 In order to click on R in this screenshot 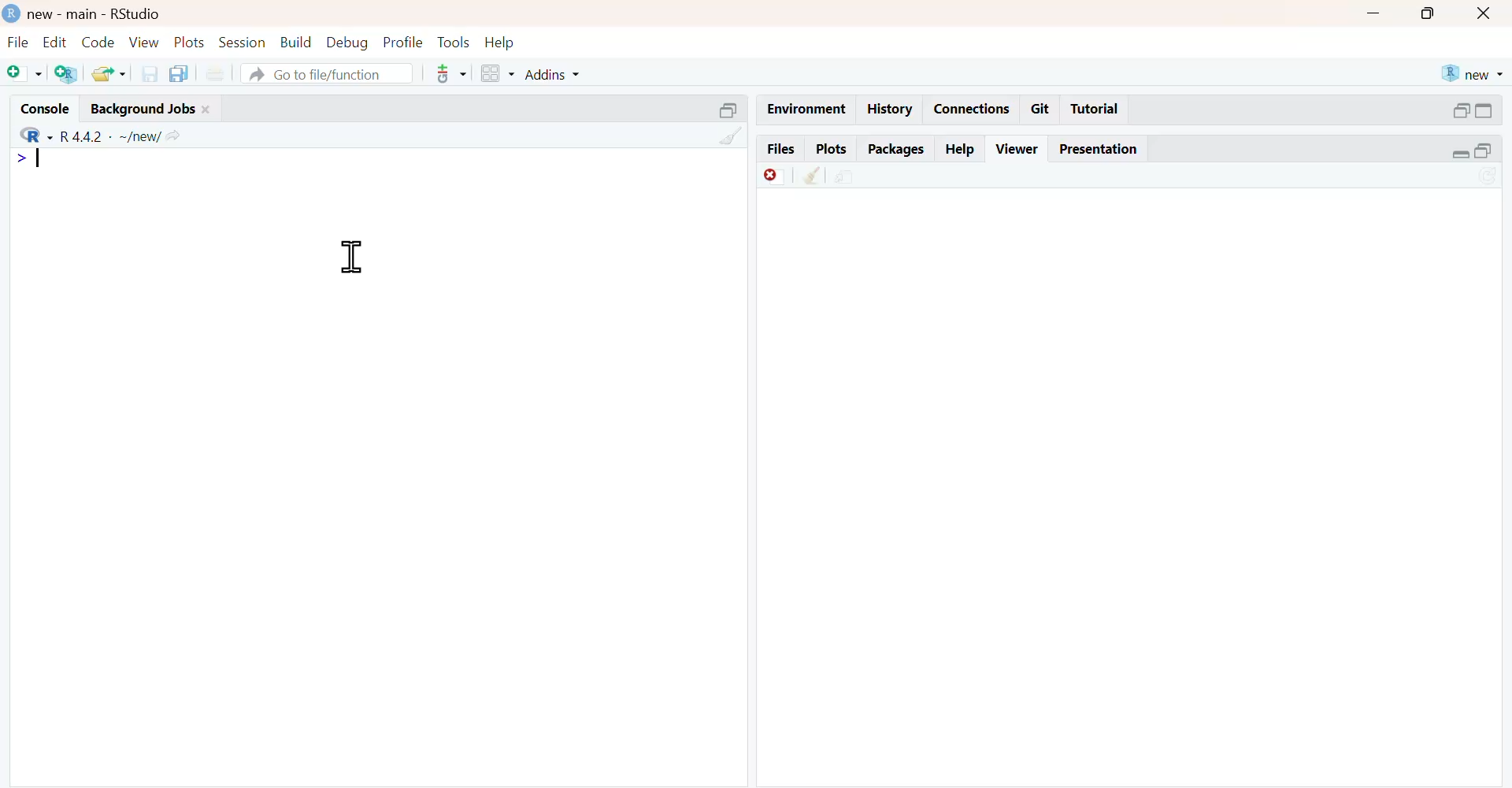, I will do `click(37, 135)`.